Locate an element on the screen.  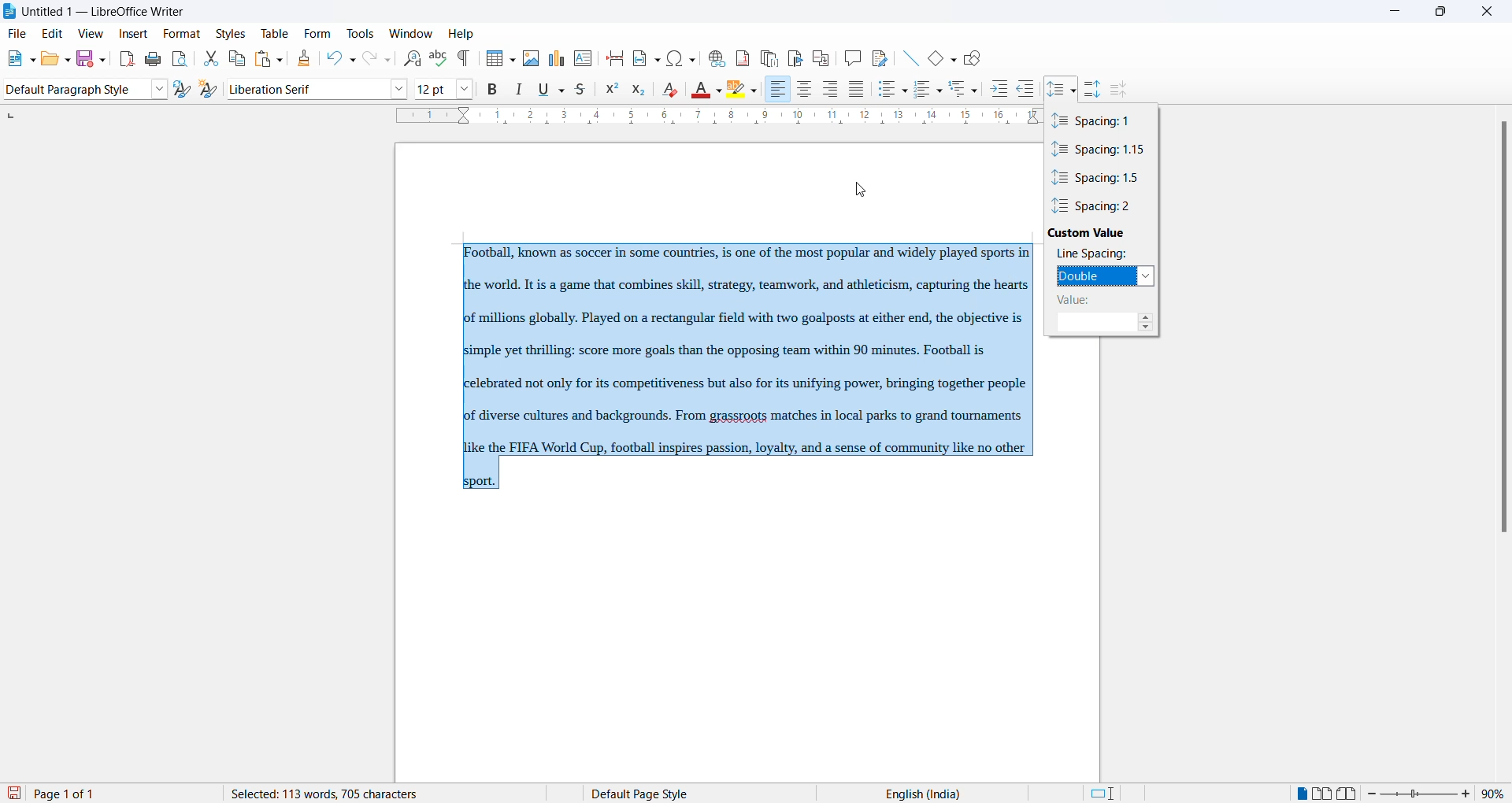
decrease indent  is located at coordinates (1027, 88).